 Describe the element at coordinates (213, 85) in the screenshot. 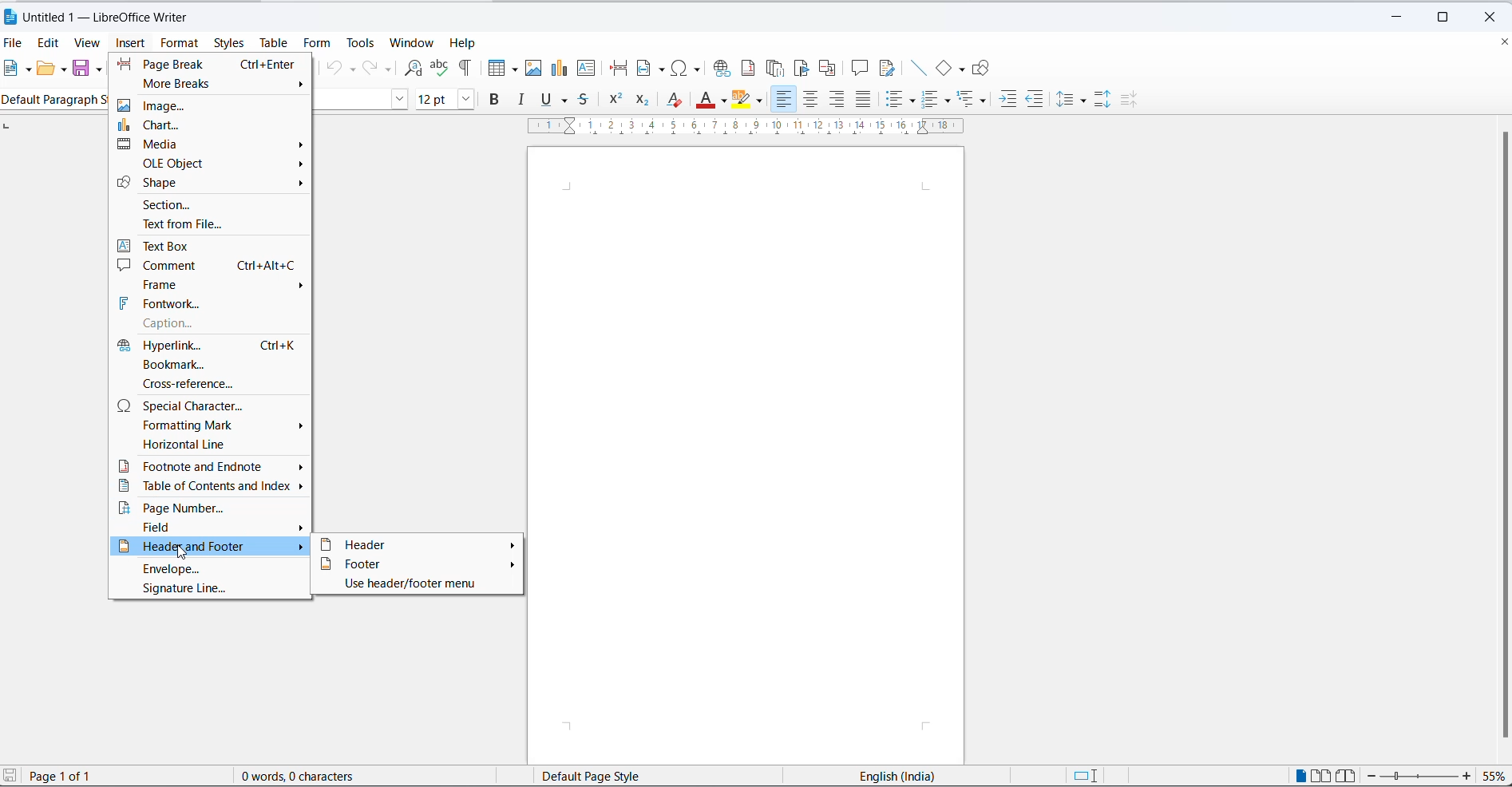

I see `more breaks` at that location.